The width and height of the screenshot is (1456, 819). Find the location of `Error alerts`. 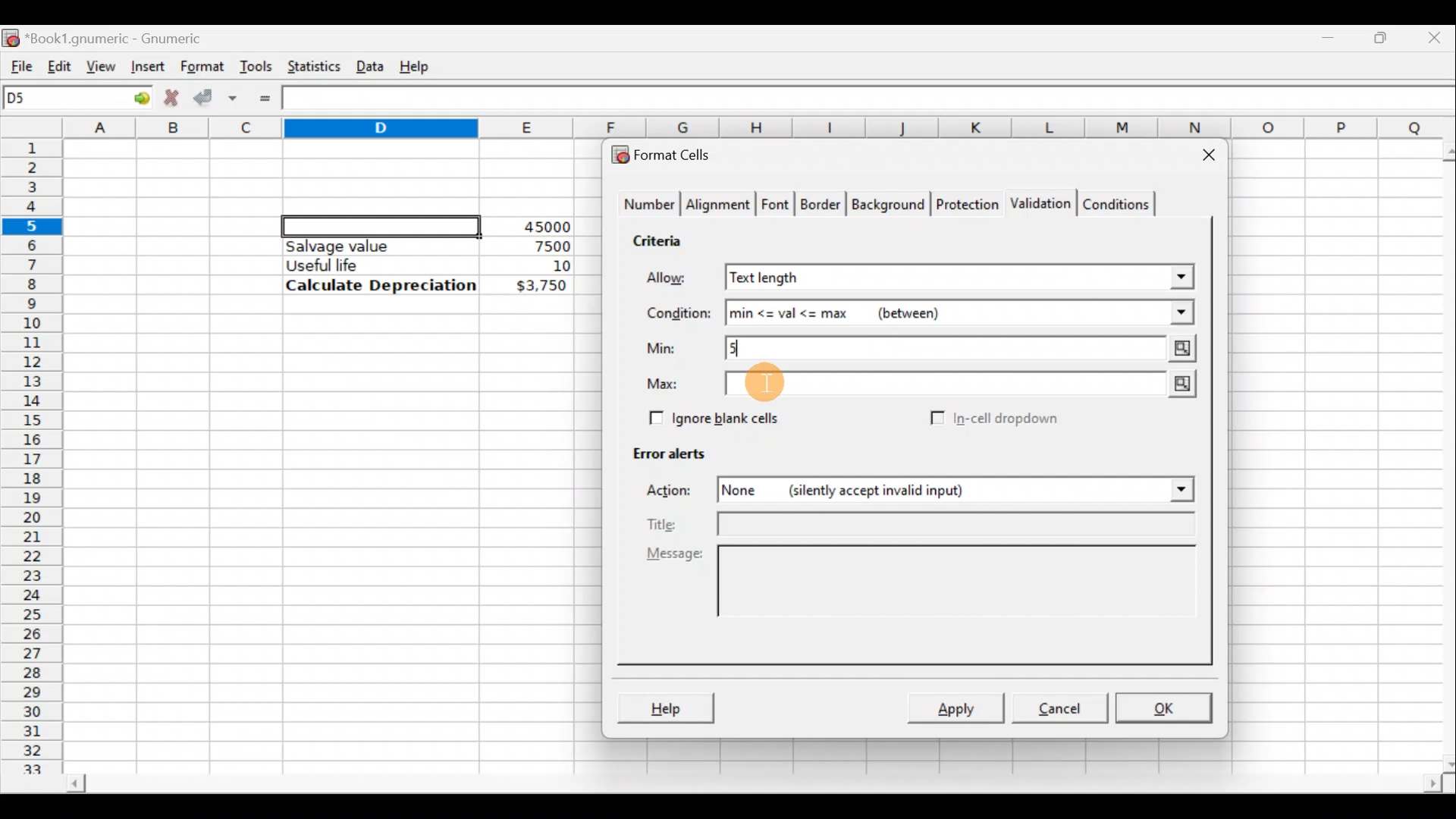

Error alerts is located at coordinates (661, 450).